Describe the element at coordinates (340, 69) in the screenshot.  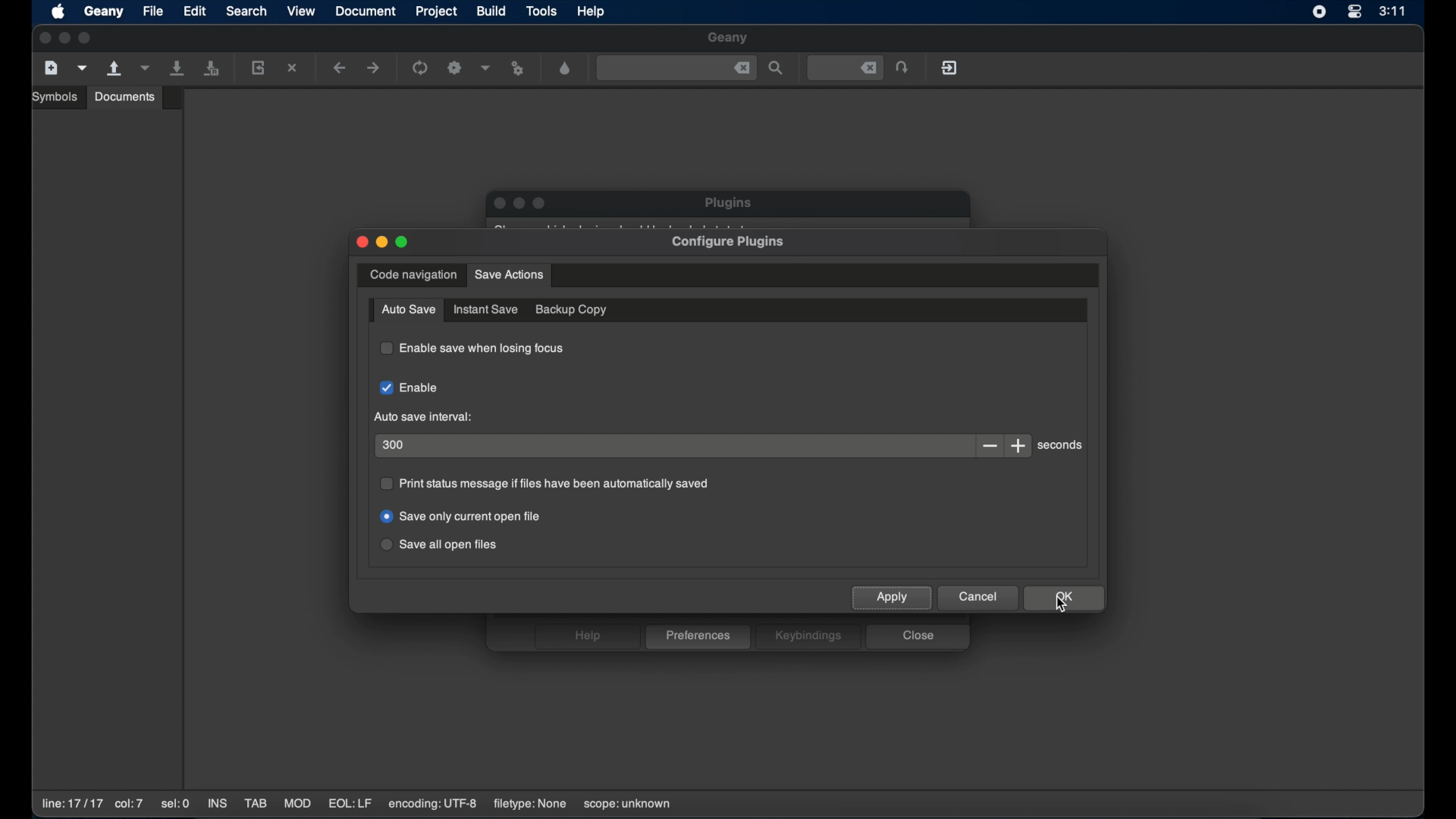
I see `navigate backward a location` at that location.